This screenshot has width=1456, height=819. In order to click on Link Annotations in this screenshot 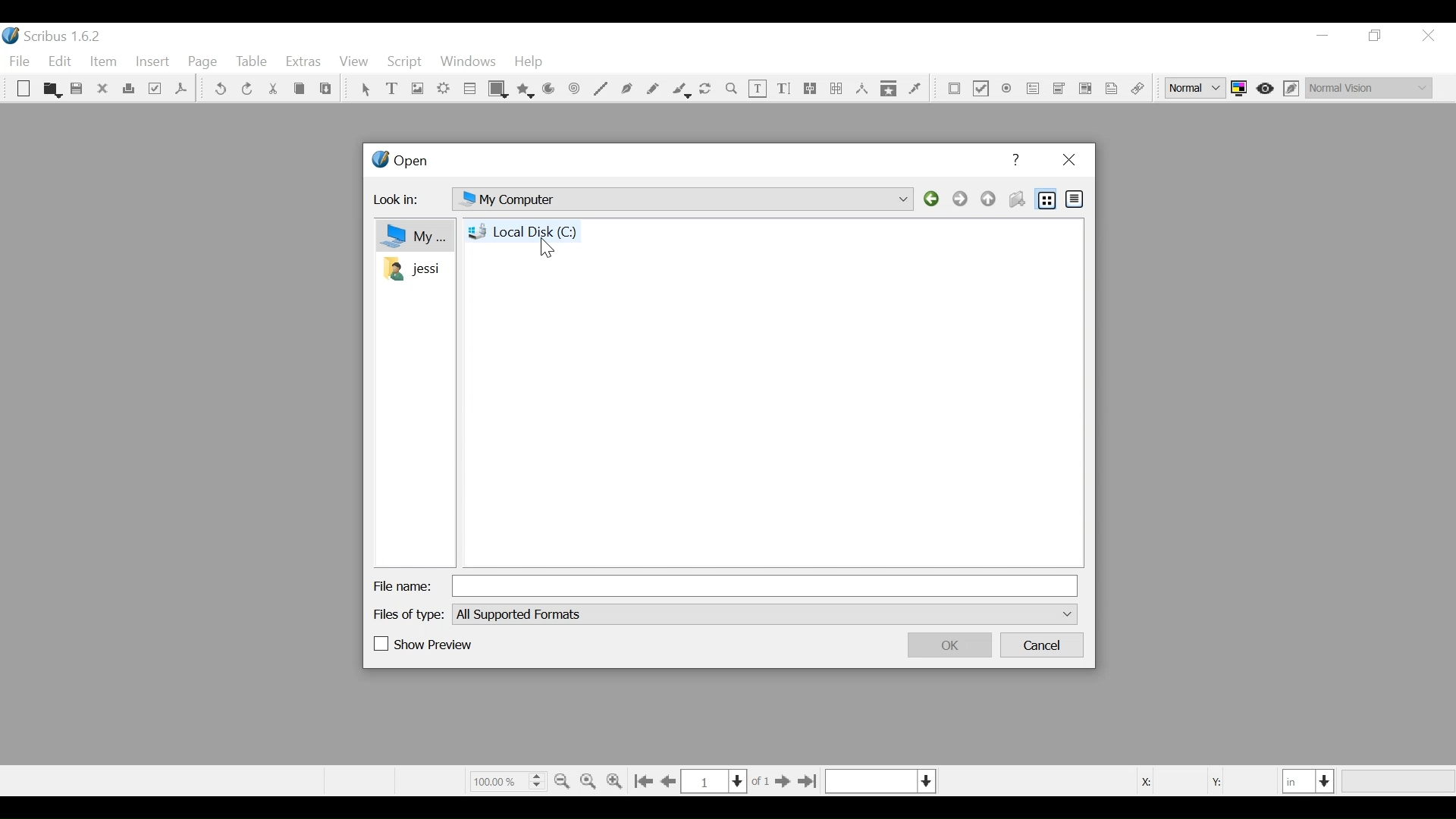, I will do `click(1135, 89)`.